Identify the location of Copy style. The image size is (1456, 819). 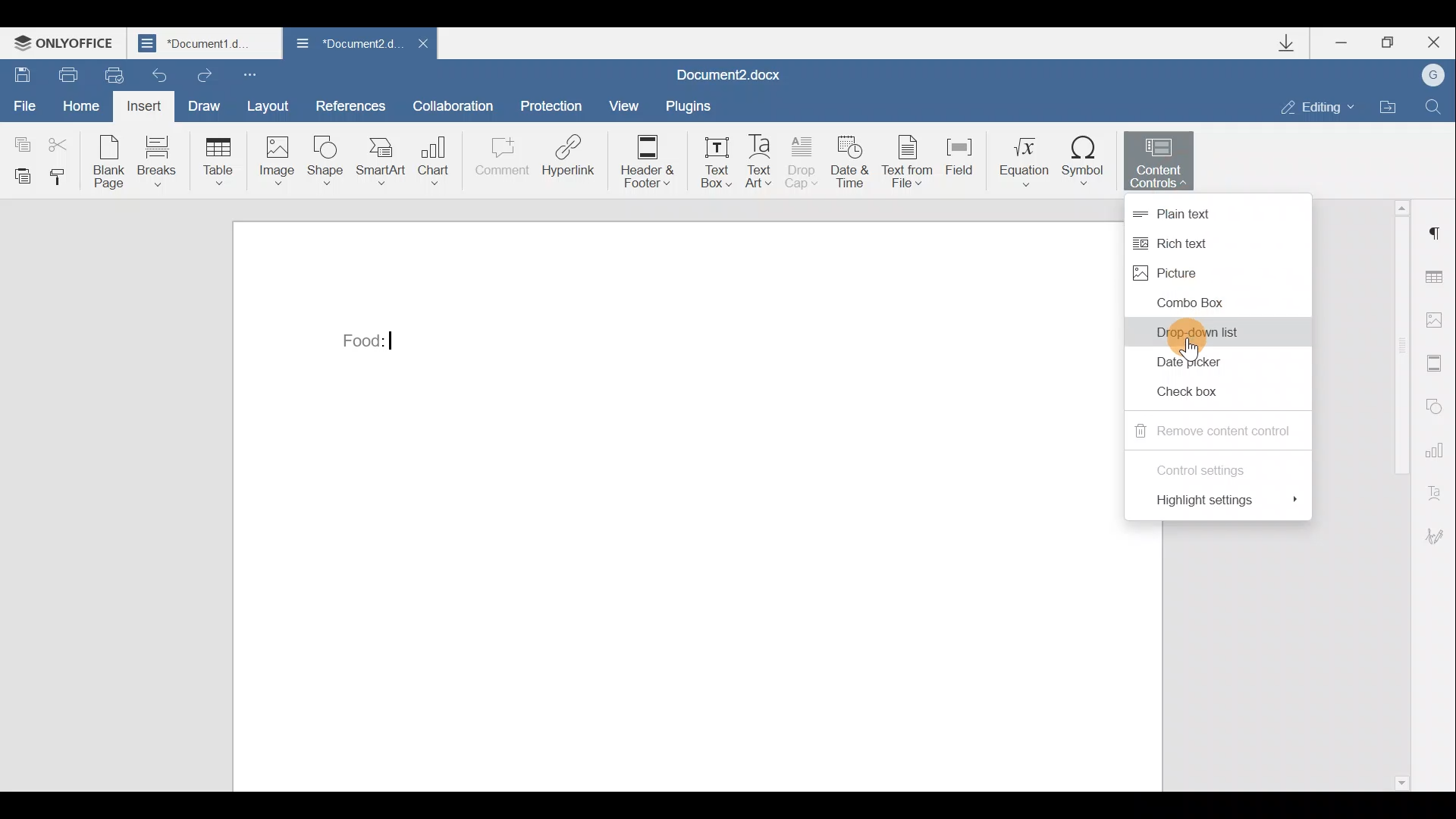
(59, 180).